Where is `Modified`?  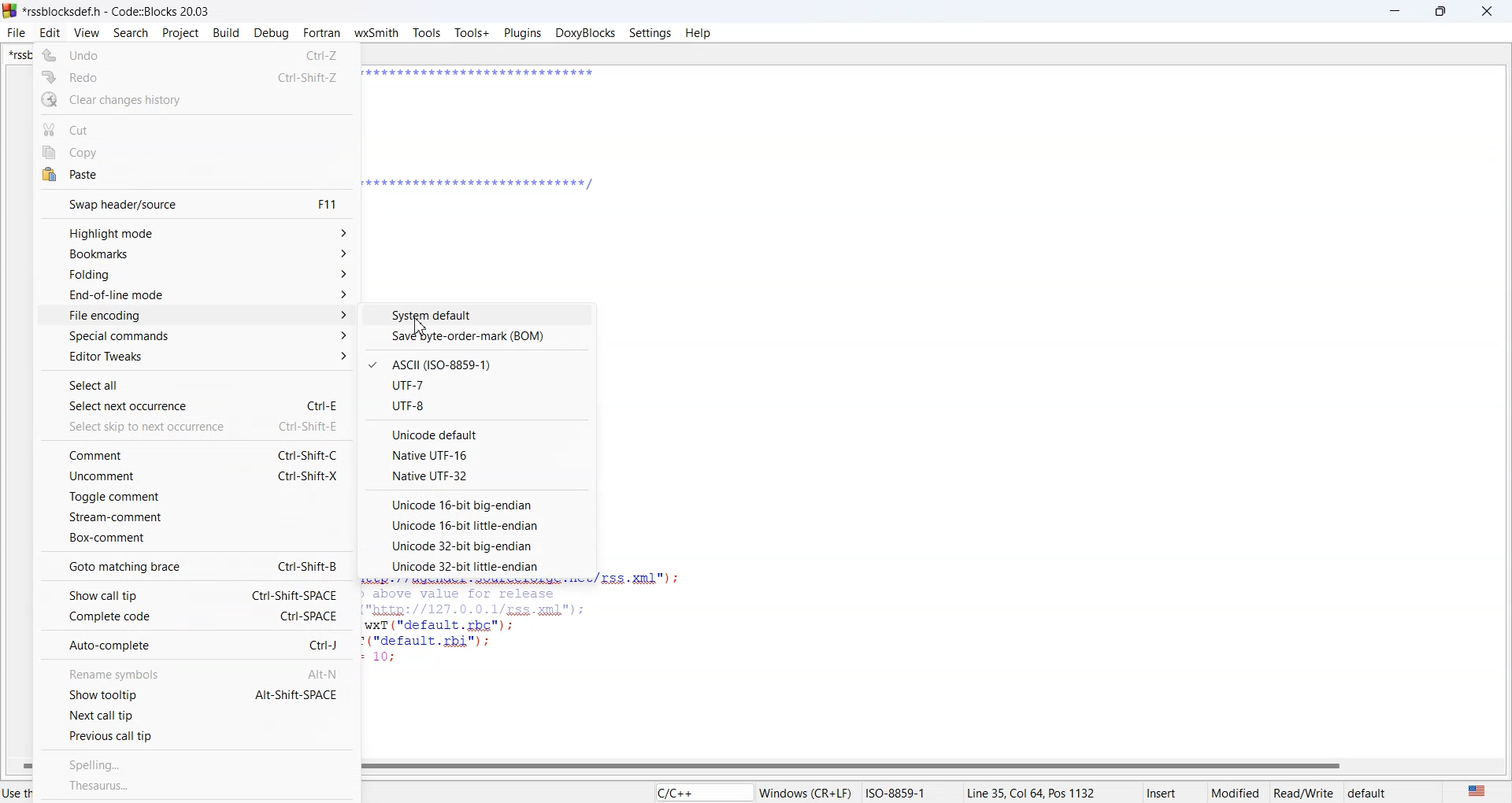
Modified is located at coordinates (1237, 791).